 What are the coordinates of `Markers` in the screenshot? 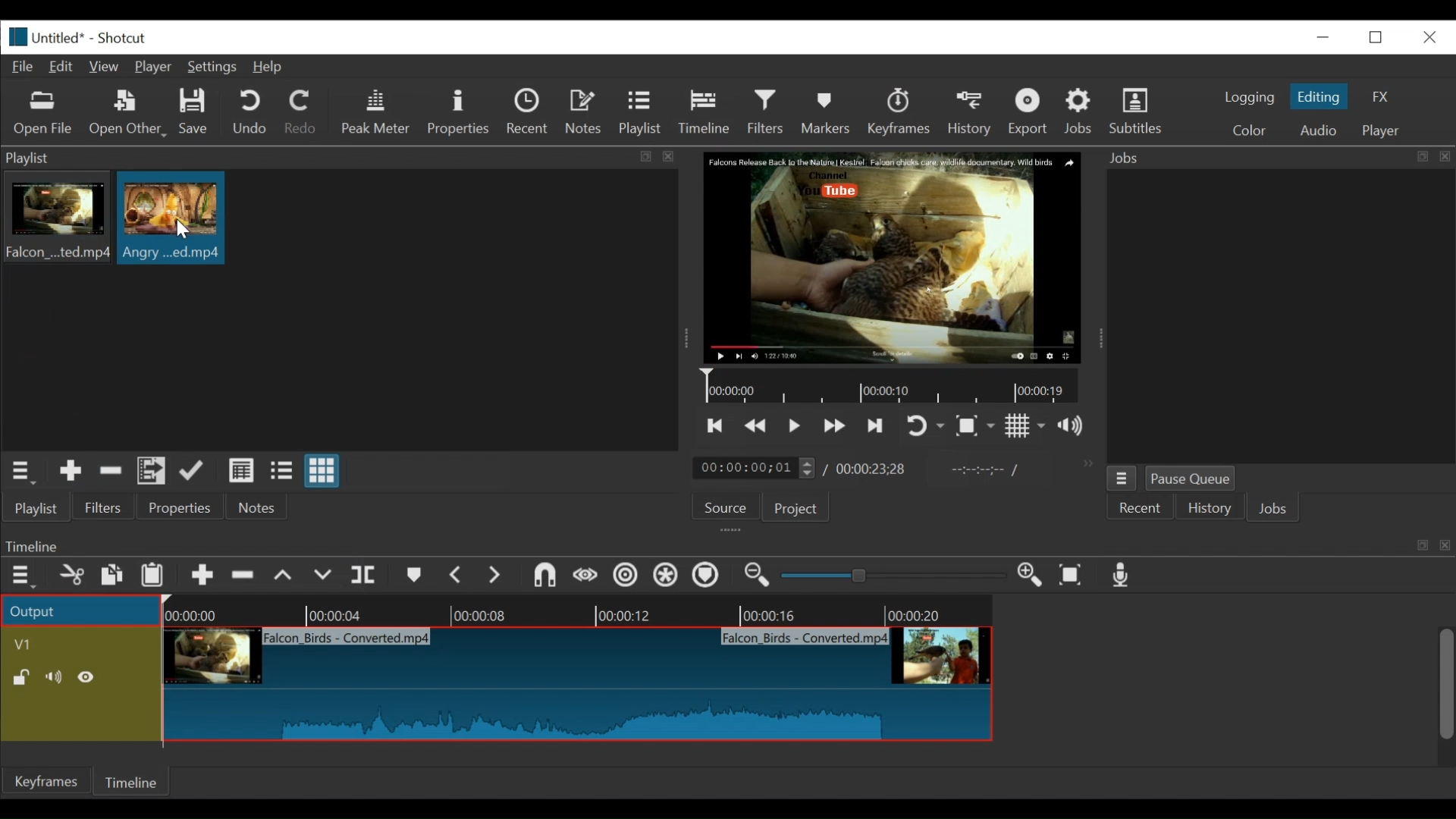 It's located at (829, 111).